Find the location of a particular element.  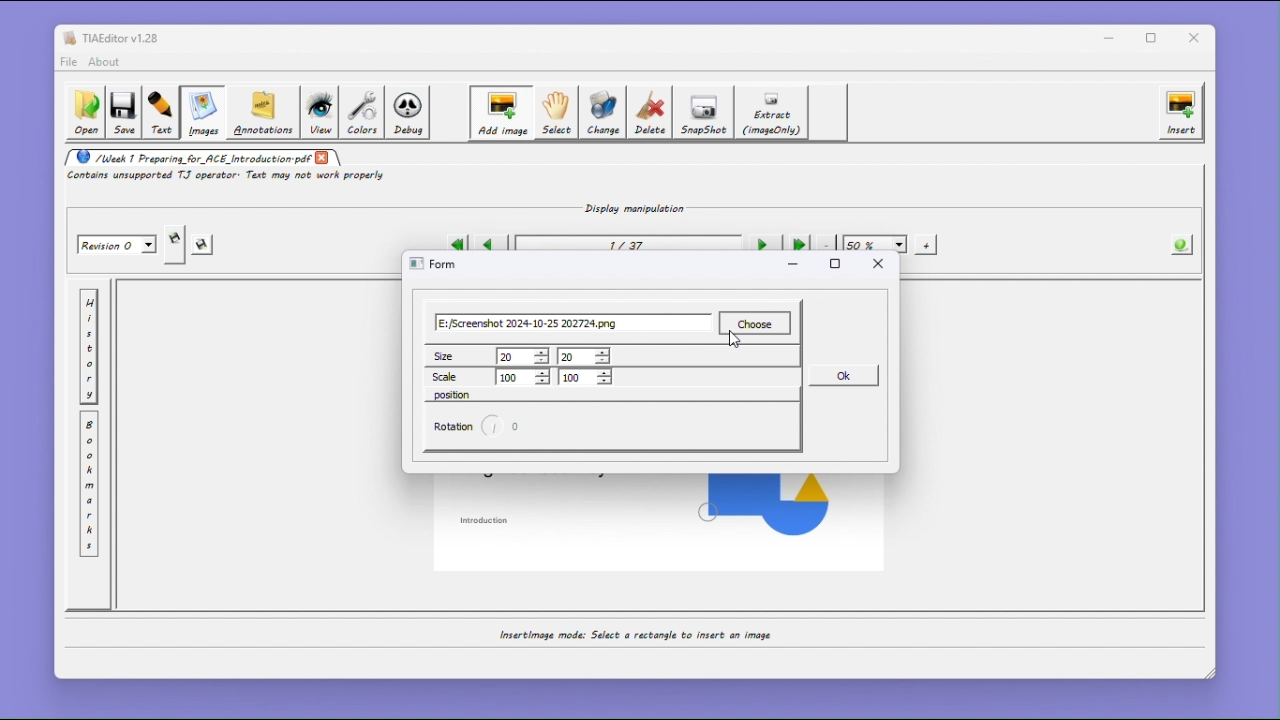

ok is located at coordinates (842, 375).